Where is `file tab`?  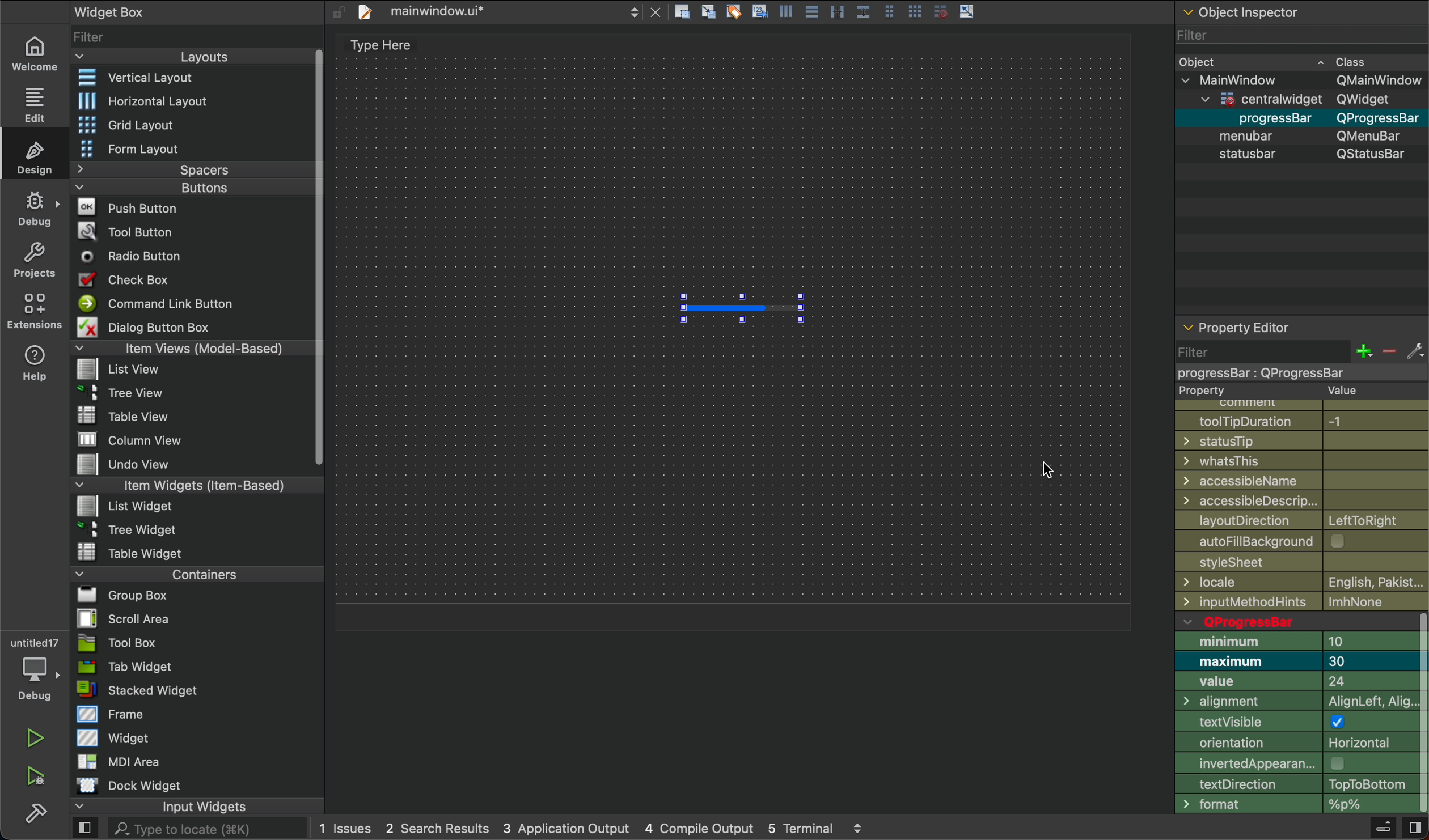
file tab is located at coordinates (508, 13).